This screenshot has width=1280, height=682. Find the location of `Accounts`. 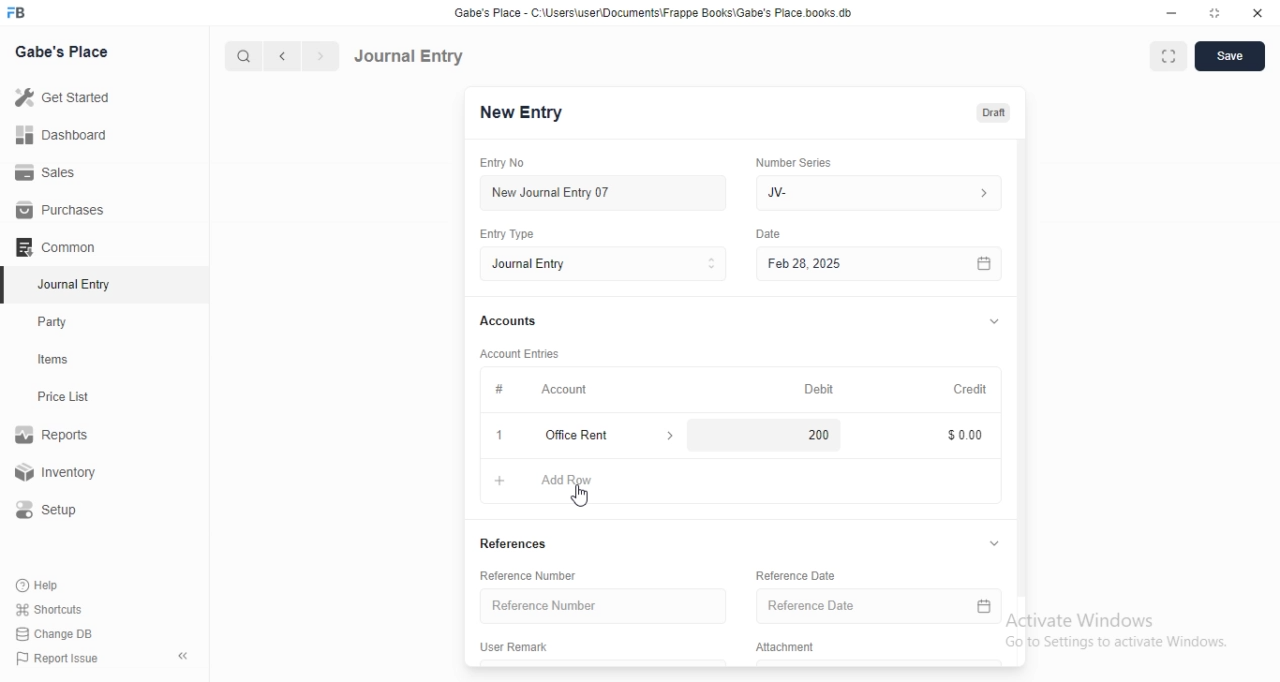

Accounts is located at coordinates (506, 321).